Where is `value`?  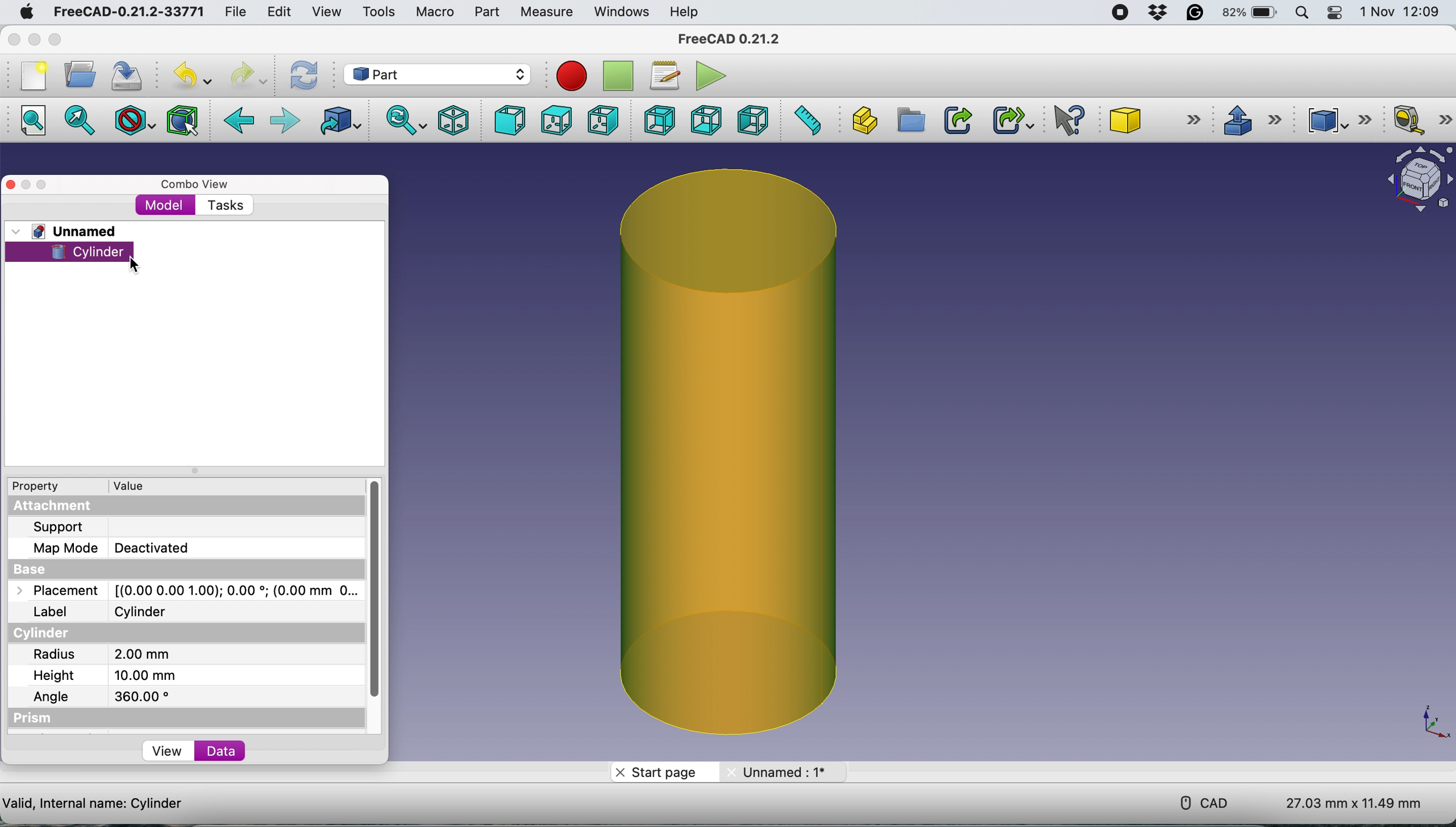 value is located at coordinates (131, 485).